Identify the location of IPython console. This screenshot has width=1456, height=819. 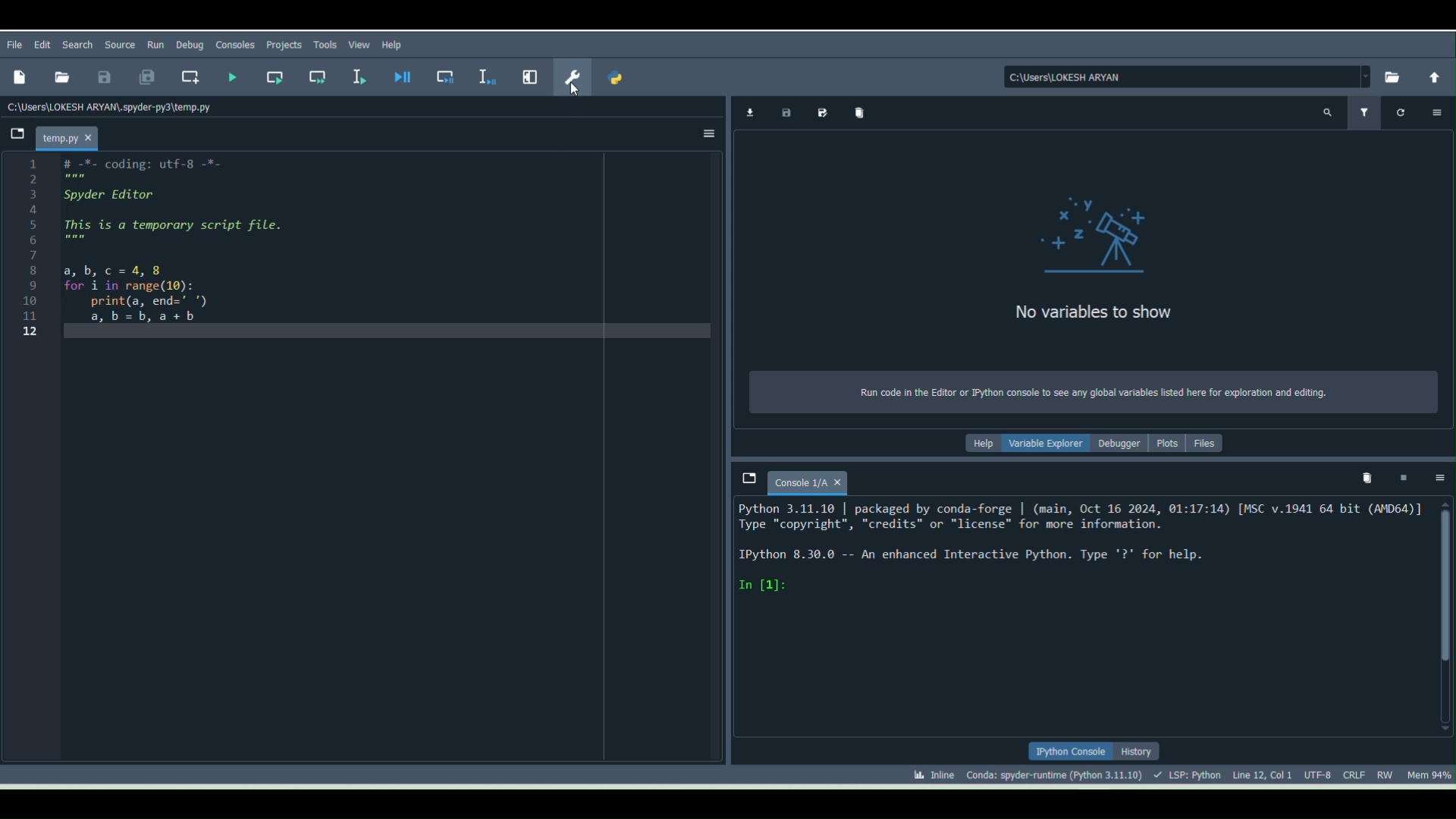
(1069, 752).